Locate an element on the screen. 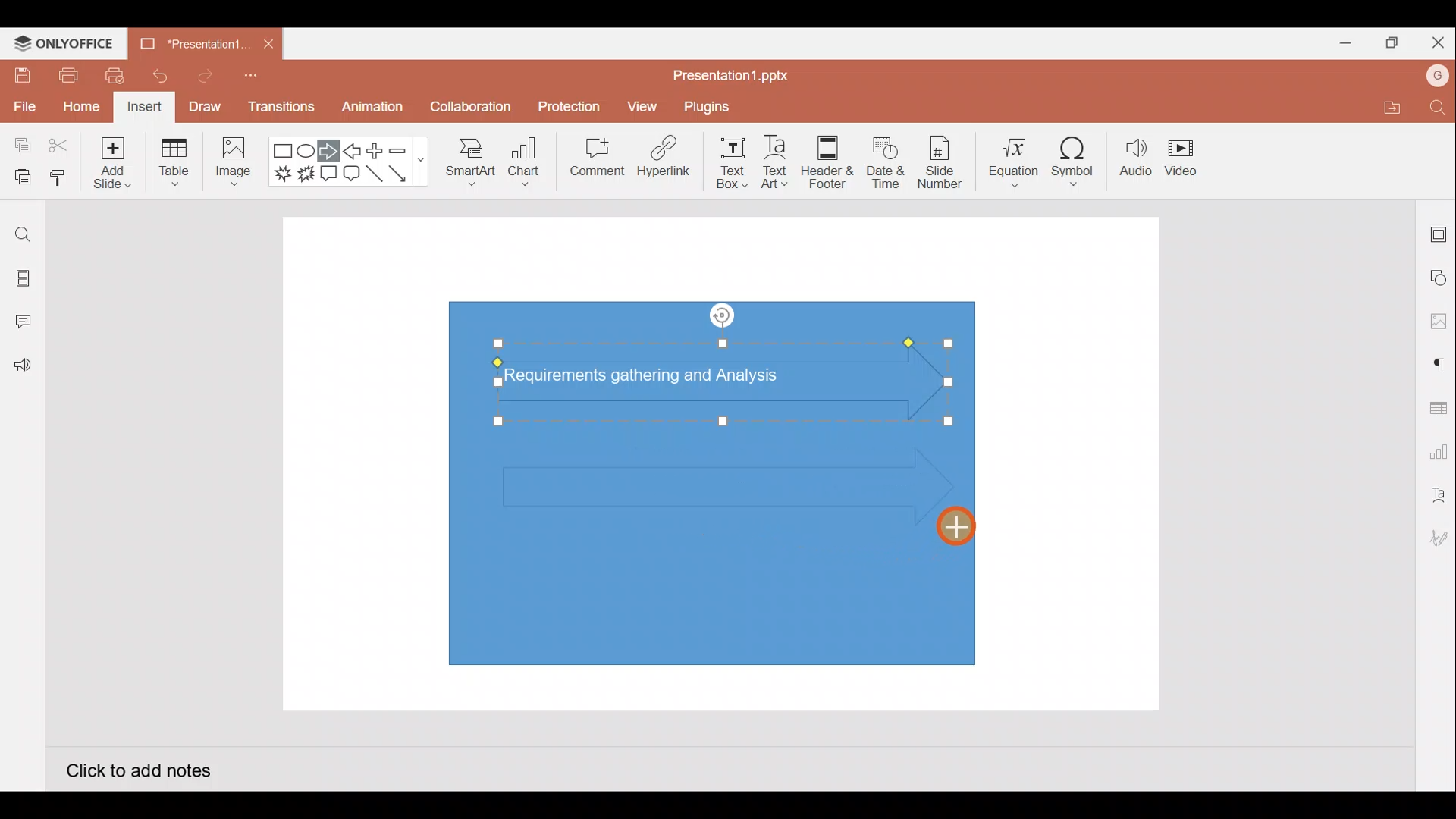 This screenshot has width=1456, height=819. Chart is located at coordinates (525, 160).